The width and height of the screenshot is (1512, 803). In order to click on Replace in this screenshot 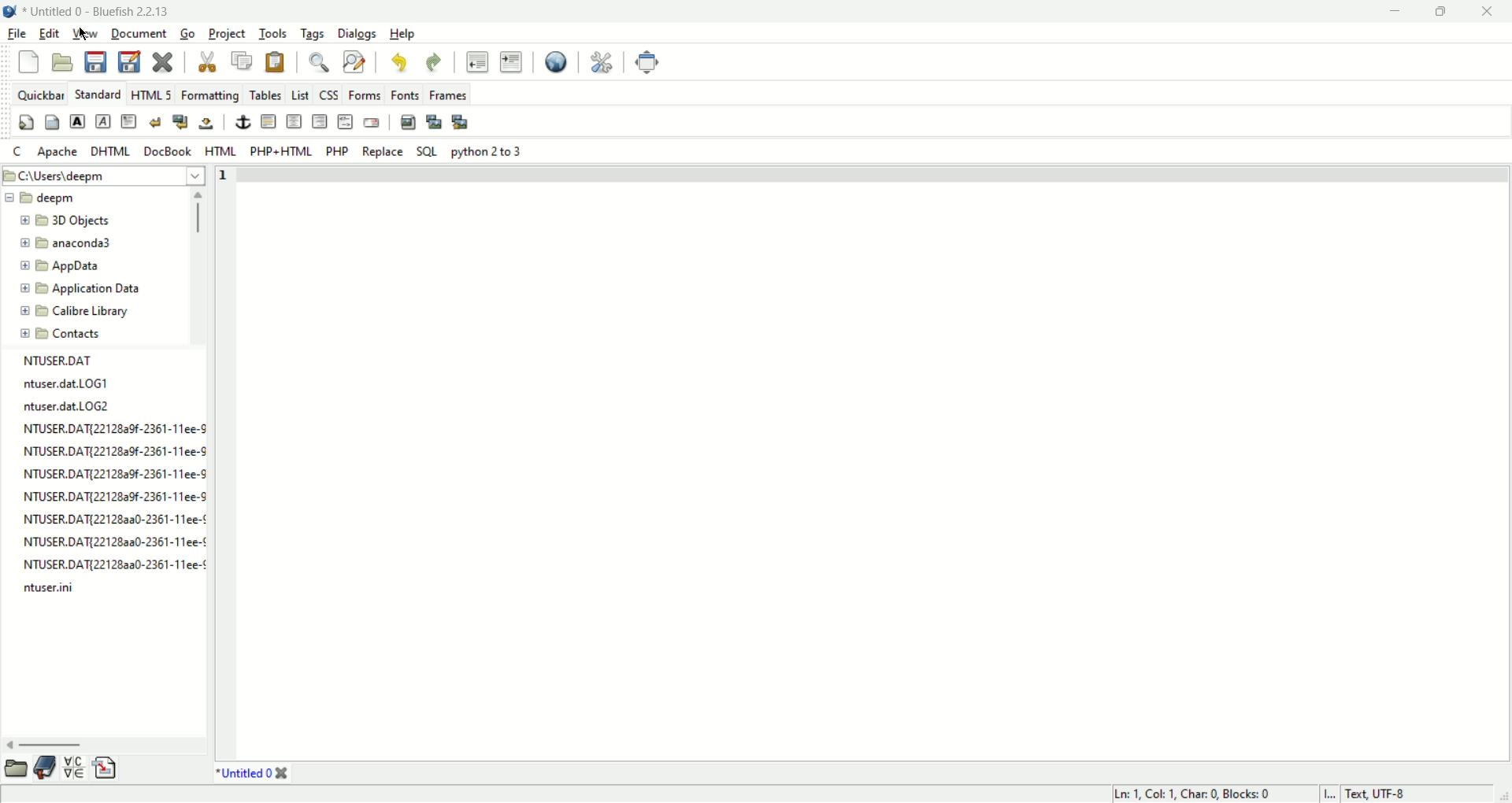, I will do `click(383, 152)`.